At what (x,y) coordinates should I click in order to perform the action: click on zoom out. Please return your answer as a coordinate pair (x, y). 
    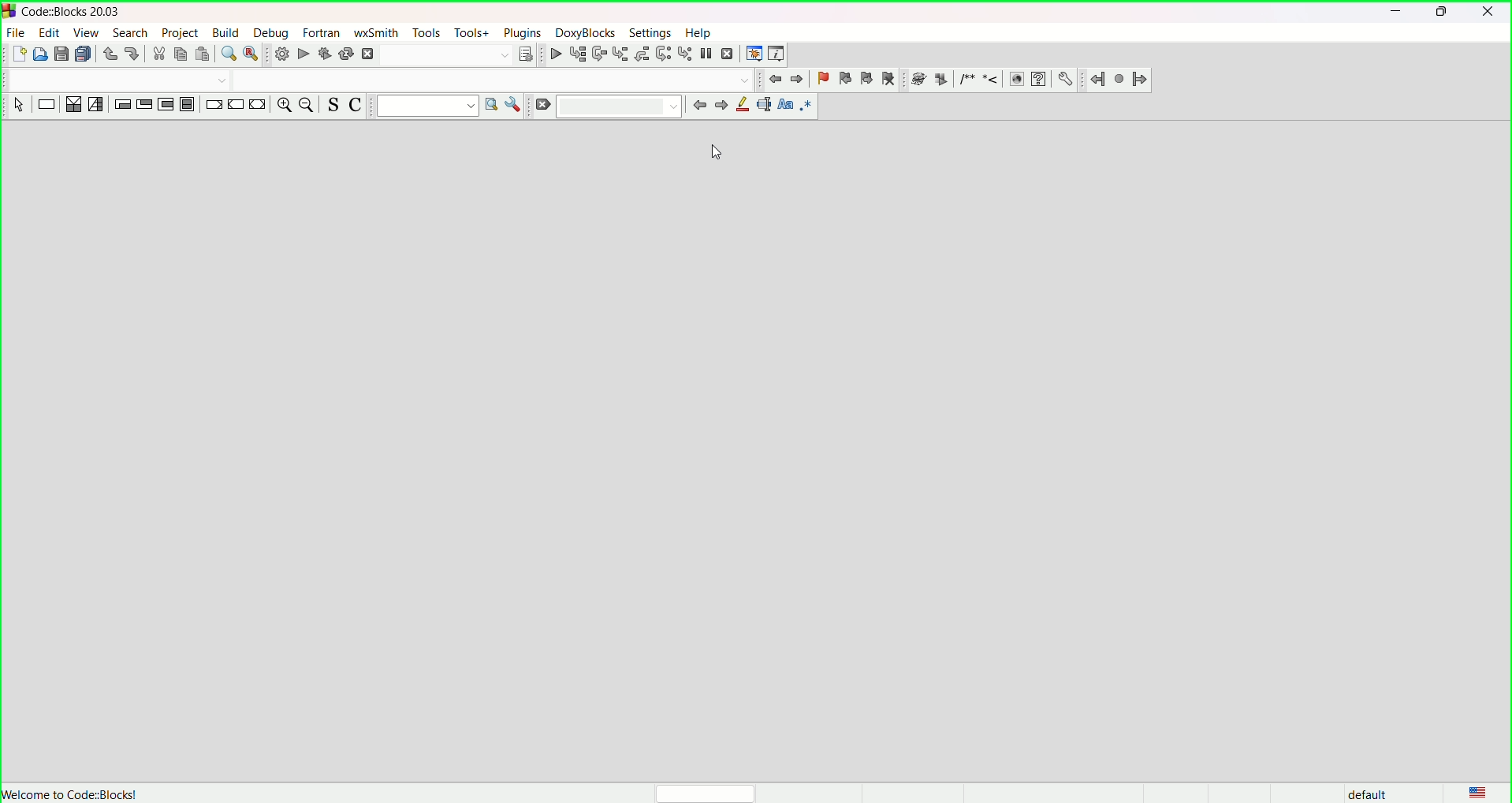
    Looking at the image, I should click on (307, 105).